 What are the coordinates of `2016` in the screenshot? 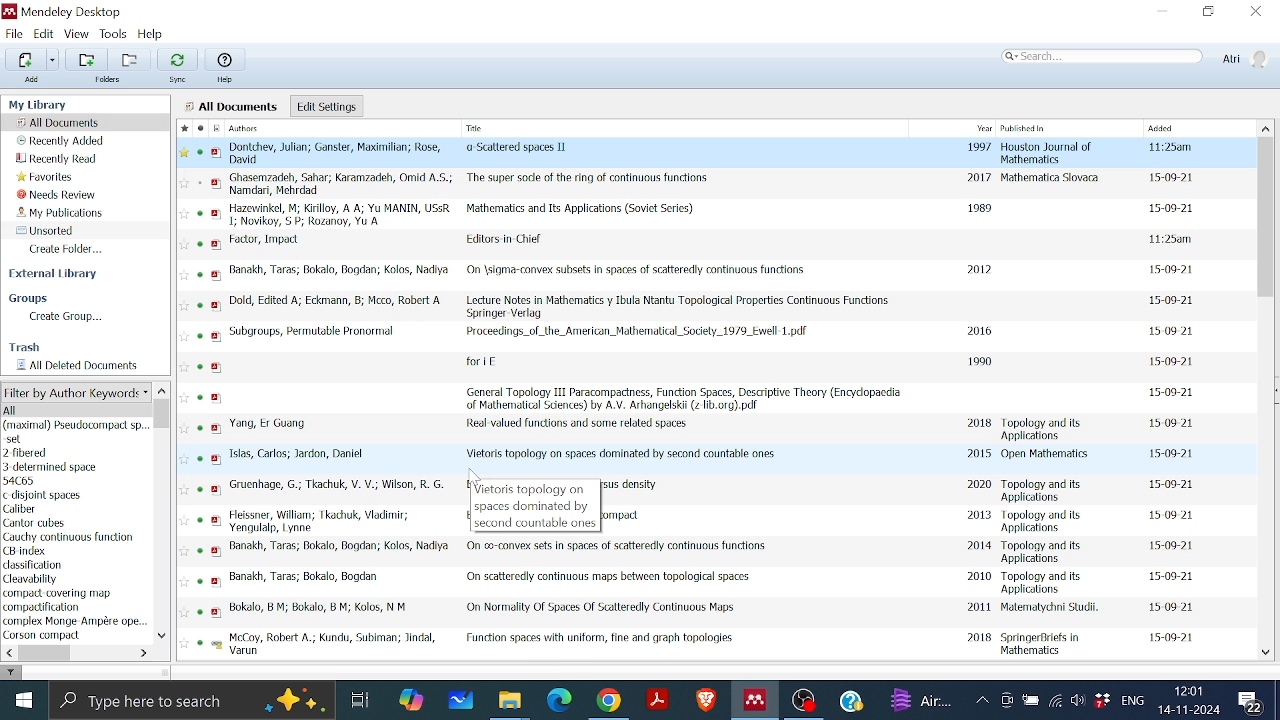 It's located at (982, 331).